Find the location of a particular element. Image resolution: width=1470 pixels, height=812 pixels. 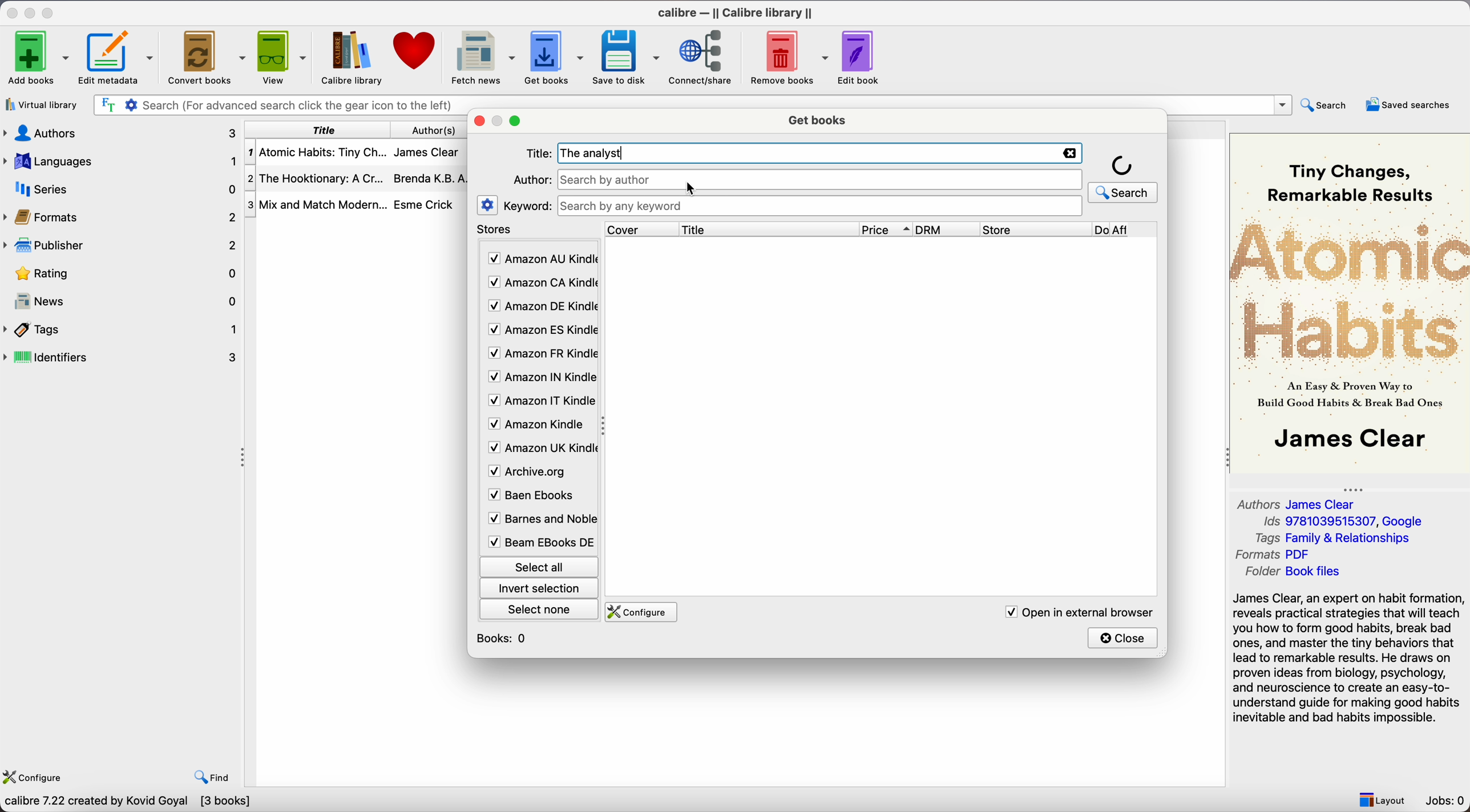

Do Aff is located at coordinates (1125, 230).